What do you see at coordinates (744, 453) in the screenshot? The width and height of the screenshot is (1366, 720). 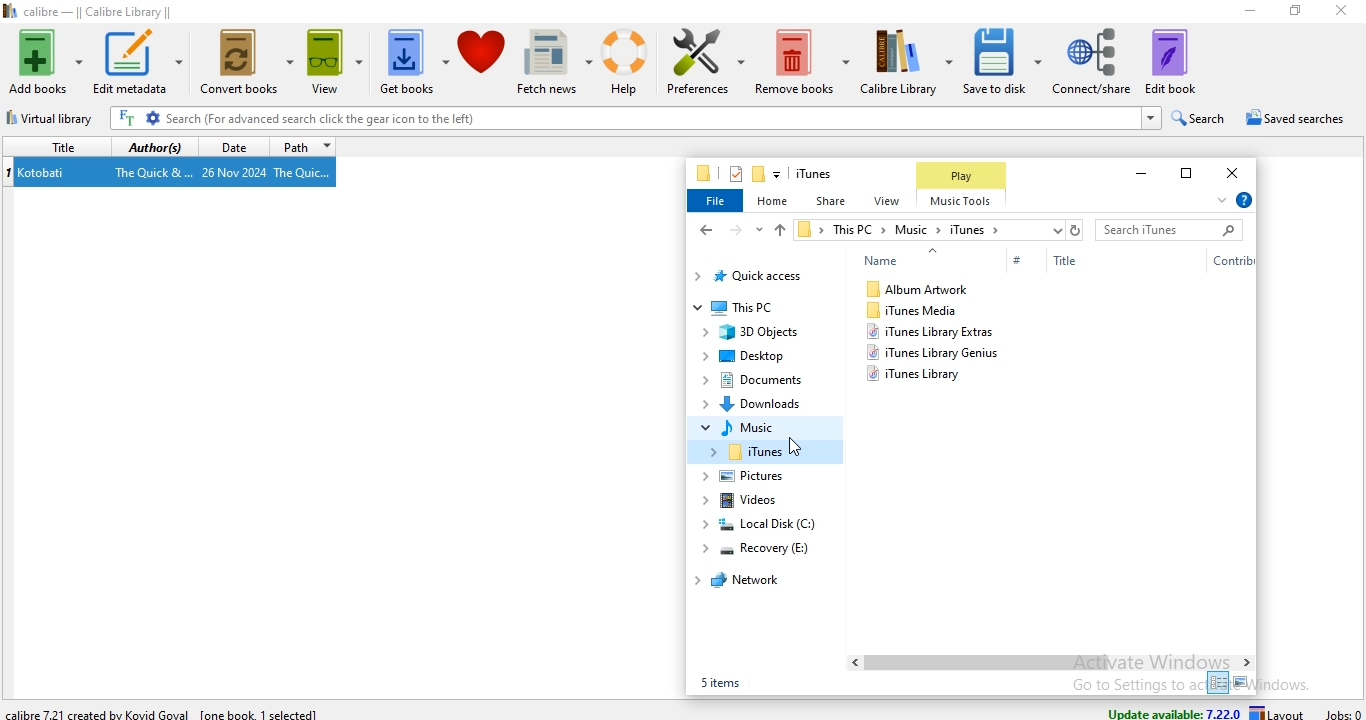 I see `iTunes` at bounding box center [744, 453].